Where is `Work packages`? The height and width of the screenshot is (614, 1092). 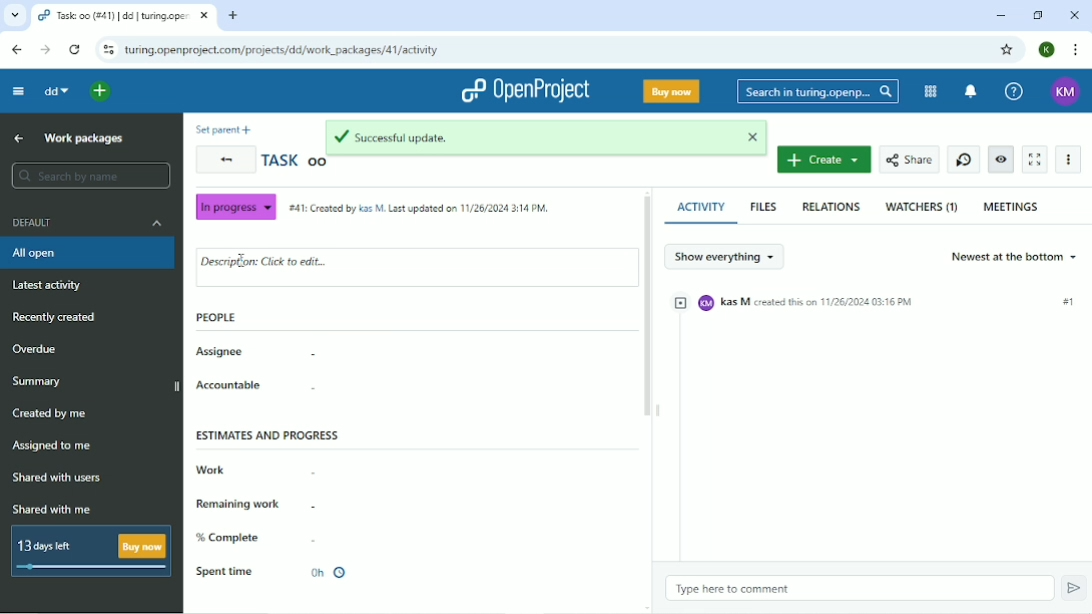 Work packages is located at coordinates (84, 139).